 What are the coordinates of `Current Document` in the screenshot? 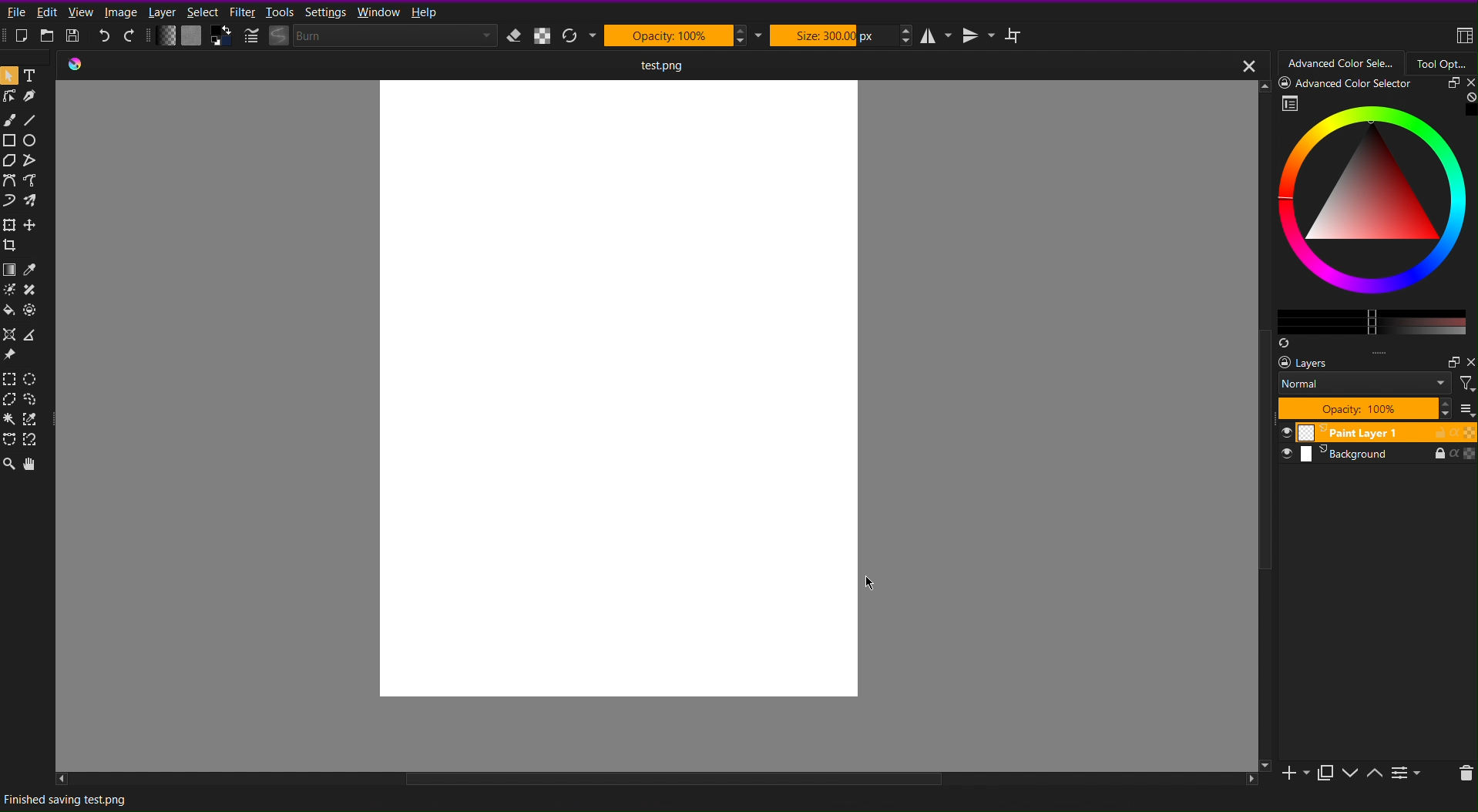 It's located at (661, 67).